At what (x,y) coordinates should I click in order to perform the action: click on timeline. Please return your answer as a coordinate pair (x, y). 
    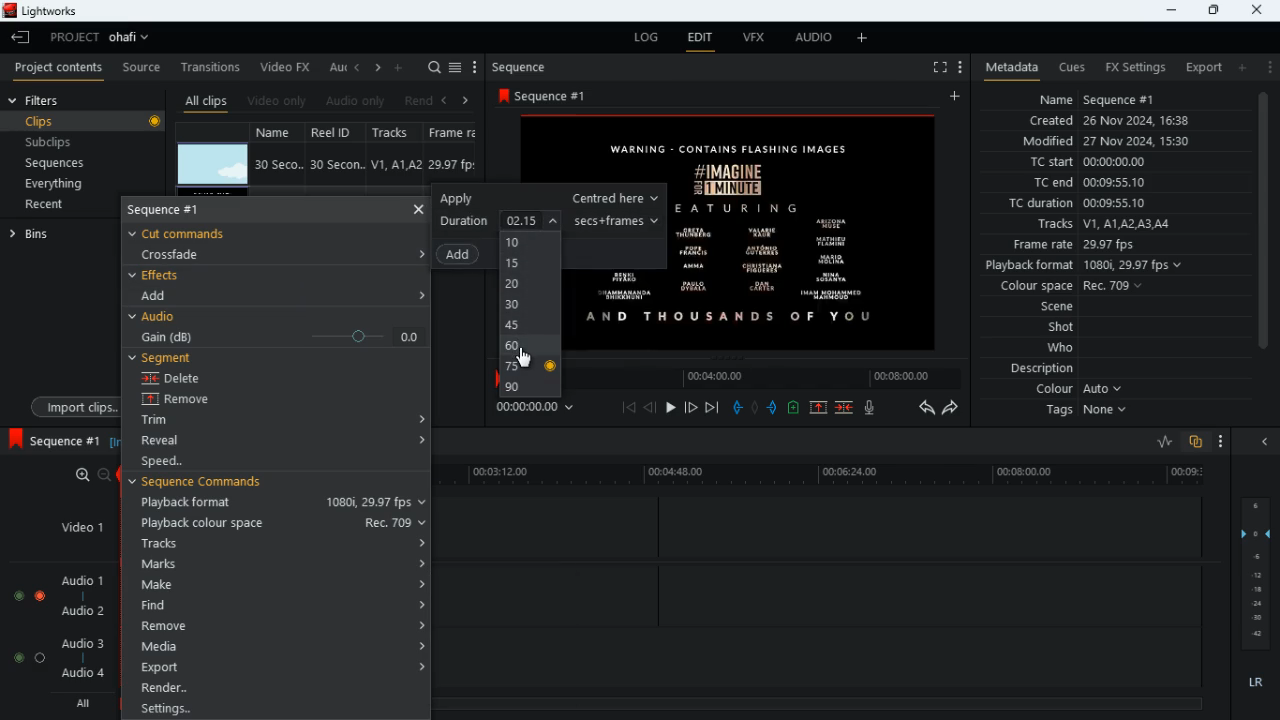
    Looking at the image, I should click on (819, 702).